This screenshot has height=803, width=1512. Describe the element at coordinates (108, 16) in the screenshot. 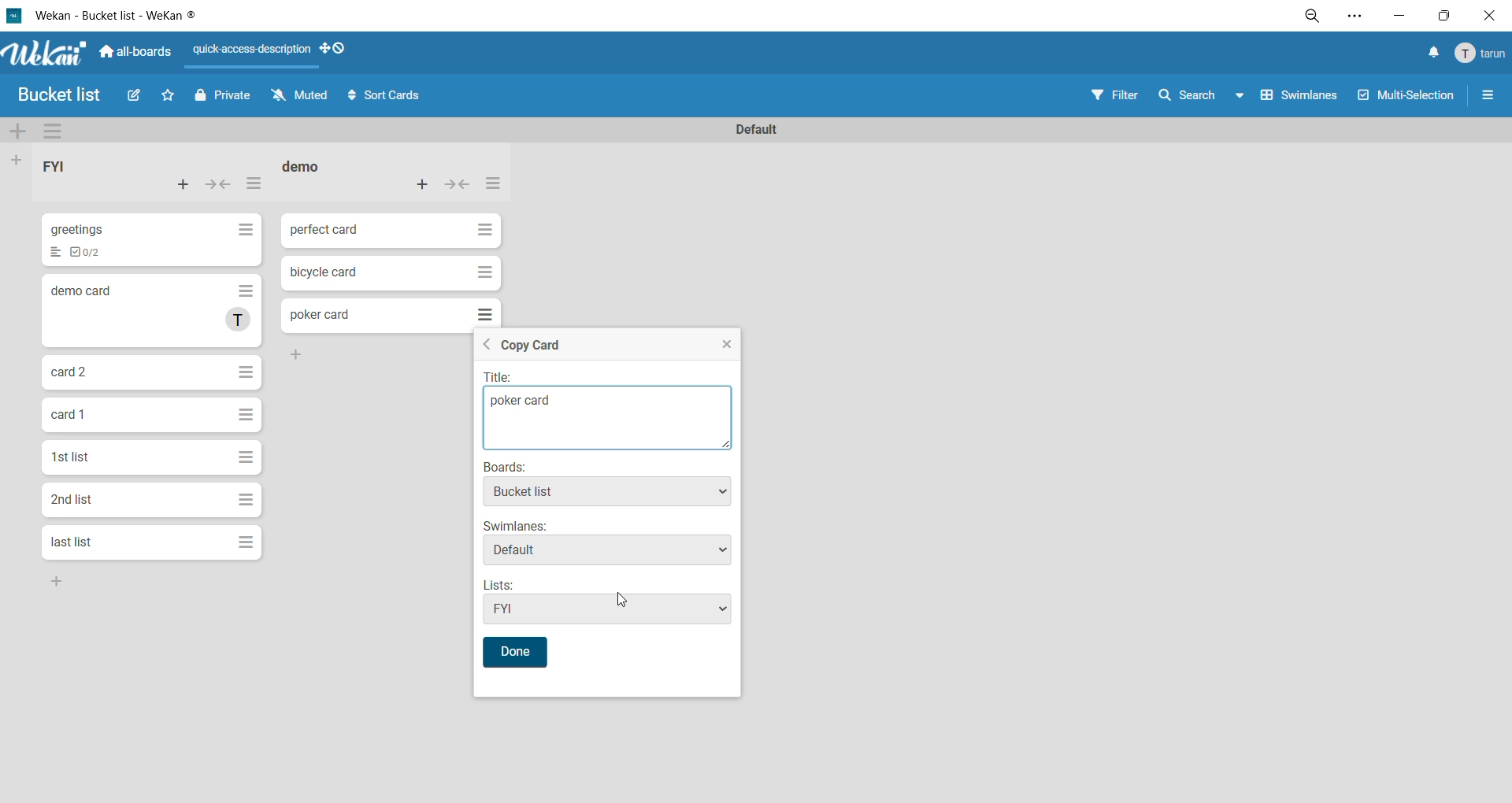

I see `Wekan - Bucket list - WeKan` at that location.